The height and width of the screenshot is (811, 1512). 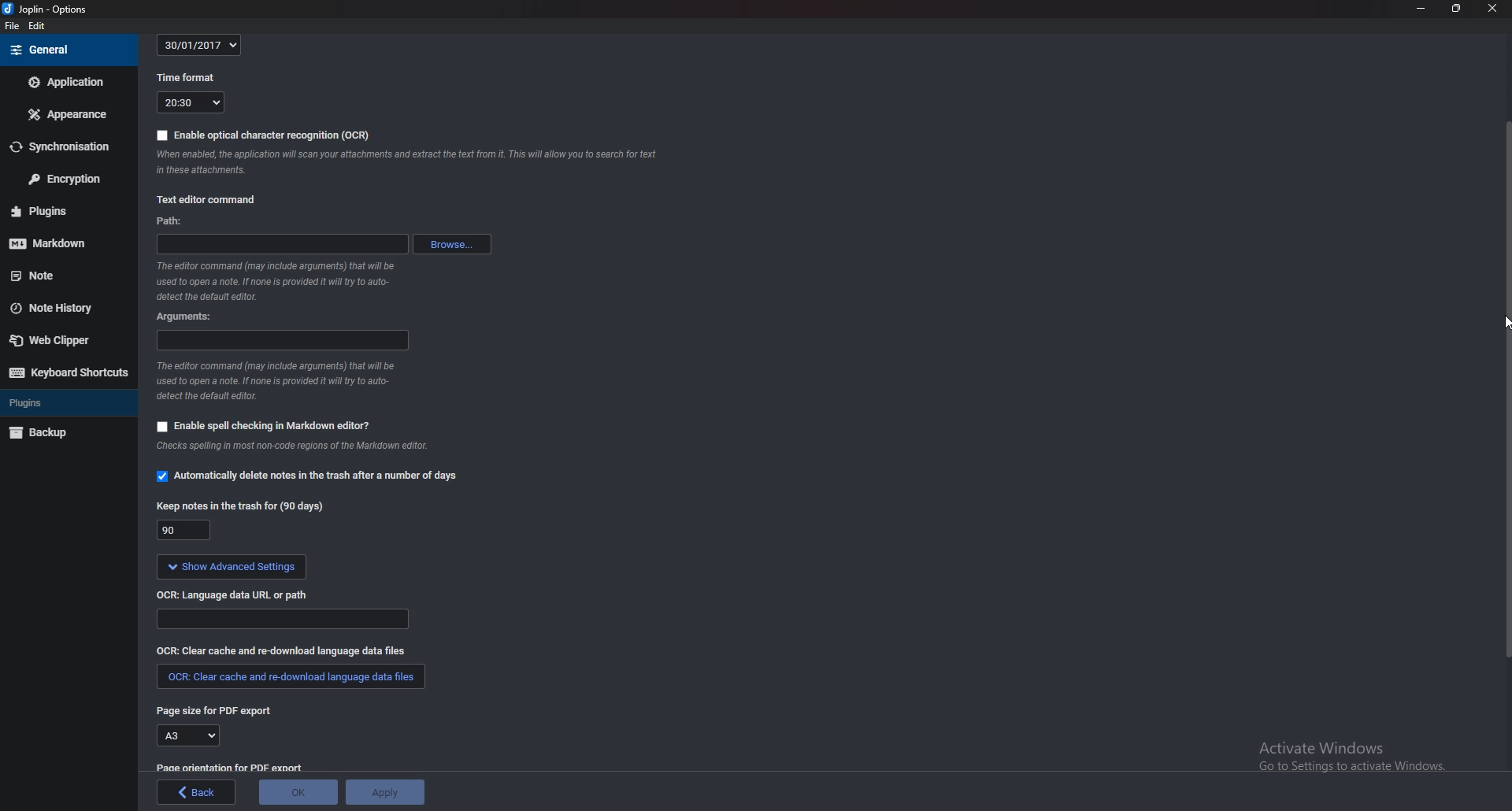 What do you see at coordinates (67, 374) in the screenshot?
I see `Keyboard shortcuts` at bounding box center [67, 374].